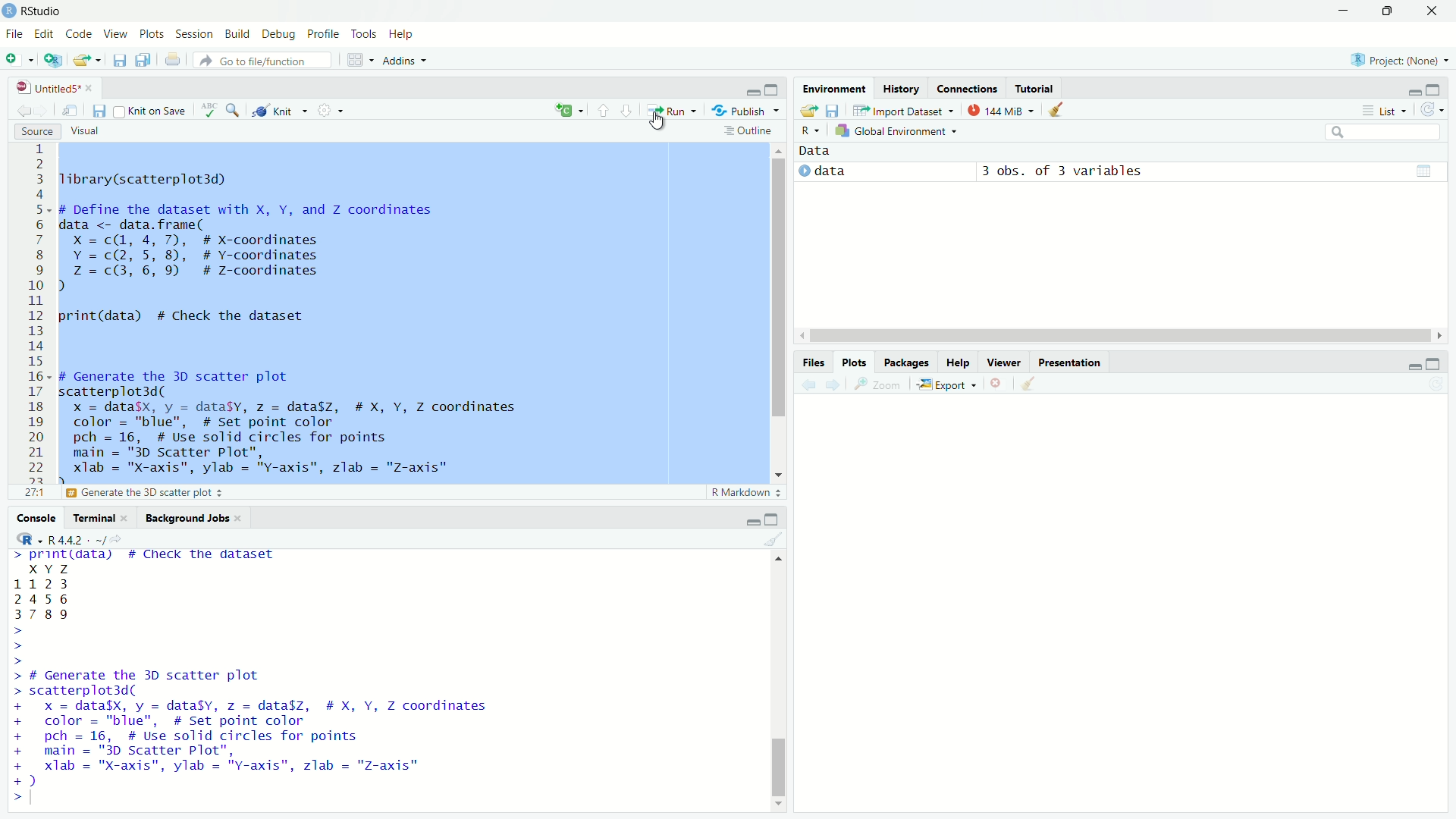 The height and width of the screenshot is (819, 1456). Describe the element at coordinates (773, 518) in the screenshot. I see `maximize` at that location.